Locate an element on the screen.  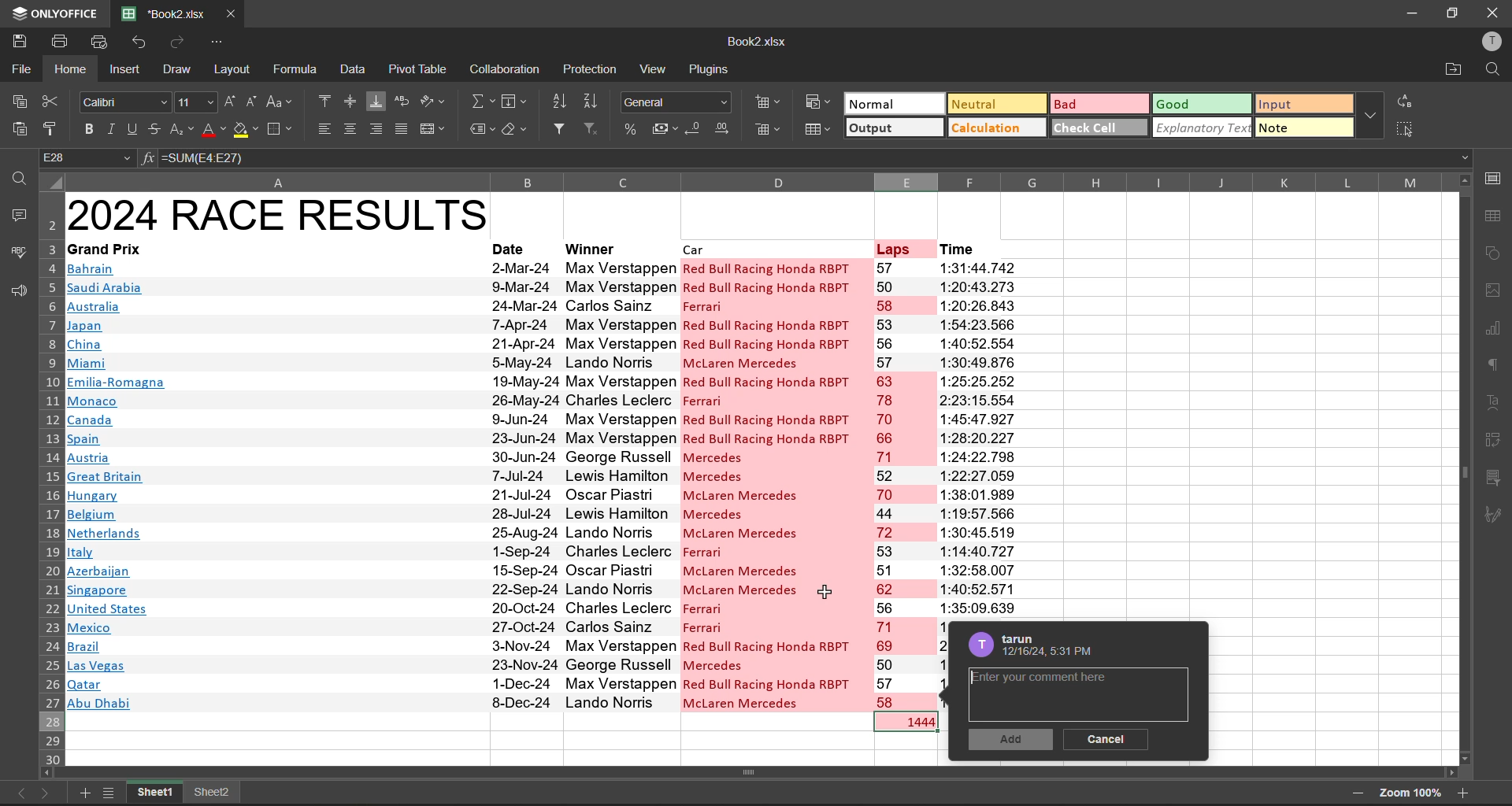
align center is located at coordinates (354, 128).